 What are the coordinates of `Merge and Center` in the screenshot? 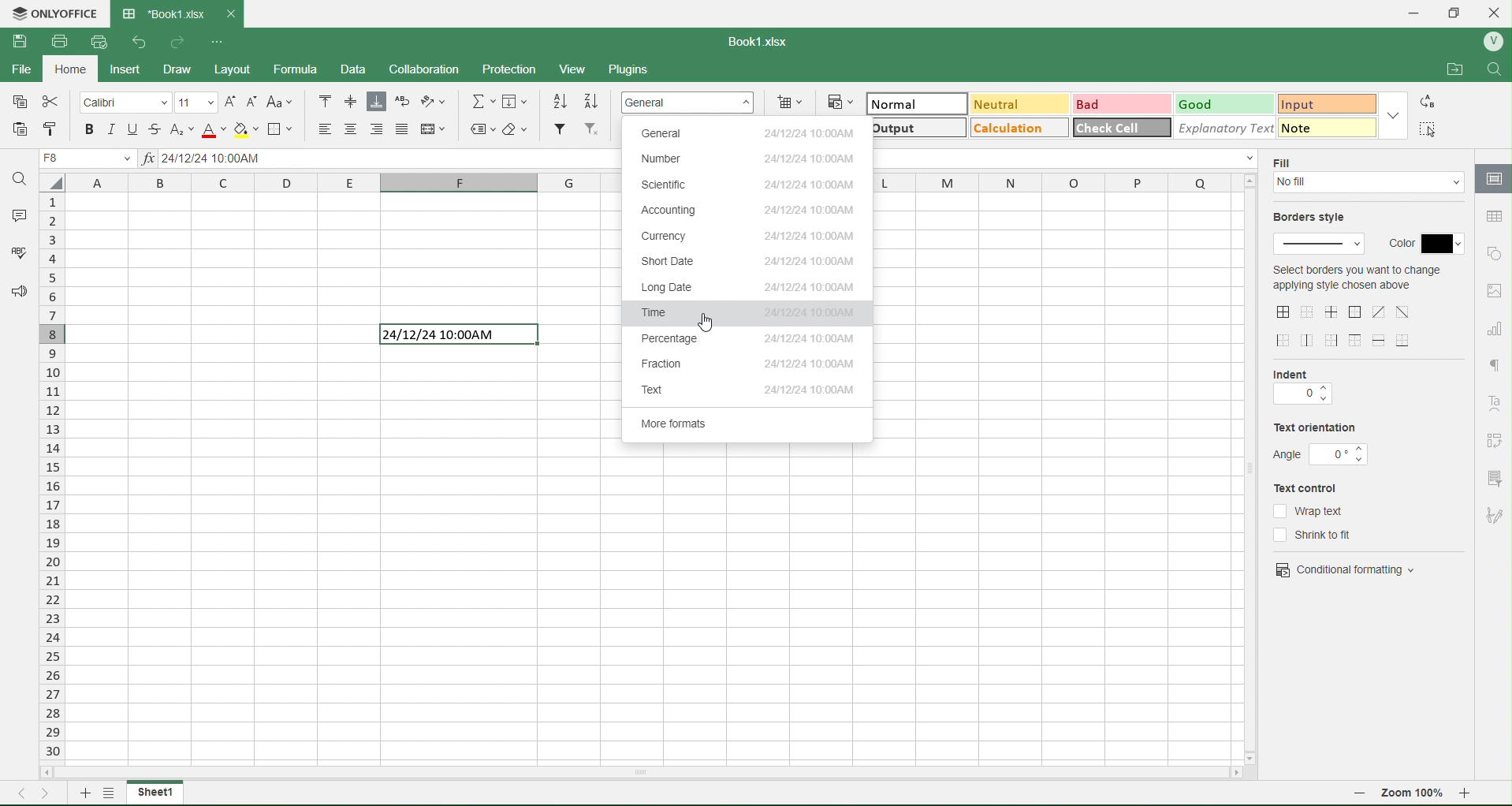 It's located at (435, 128).